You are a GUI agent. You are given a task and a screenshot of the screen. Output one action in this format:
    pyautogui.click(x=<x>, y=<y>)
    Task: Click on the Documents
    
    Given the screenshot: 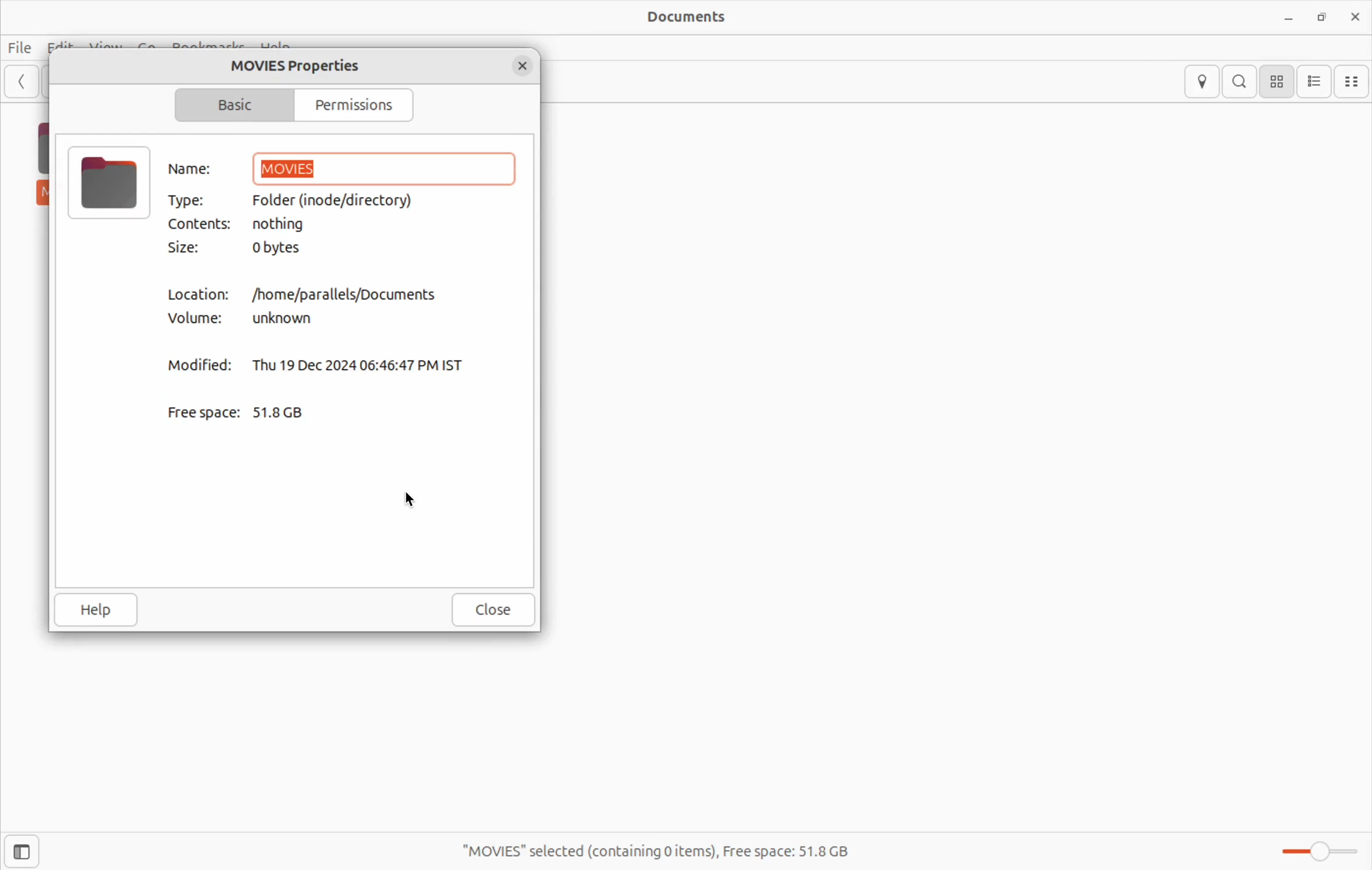 What is the action you would take?
    pyautogui.click(x=682, y=18)
    